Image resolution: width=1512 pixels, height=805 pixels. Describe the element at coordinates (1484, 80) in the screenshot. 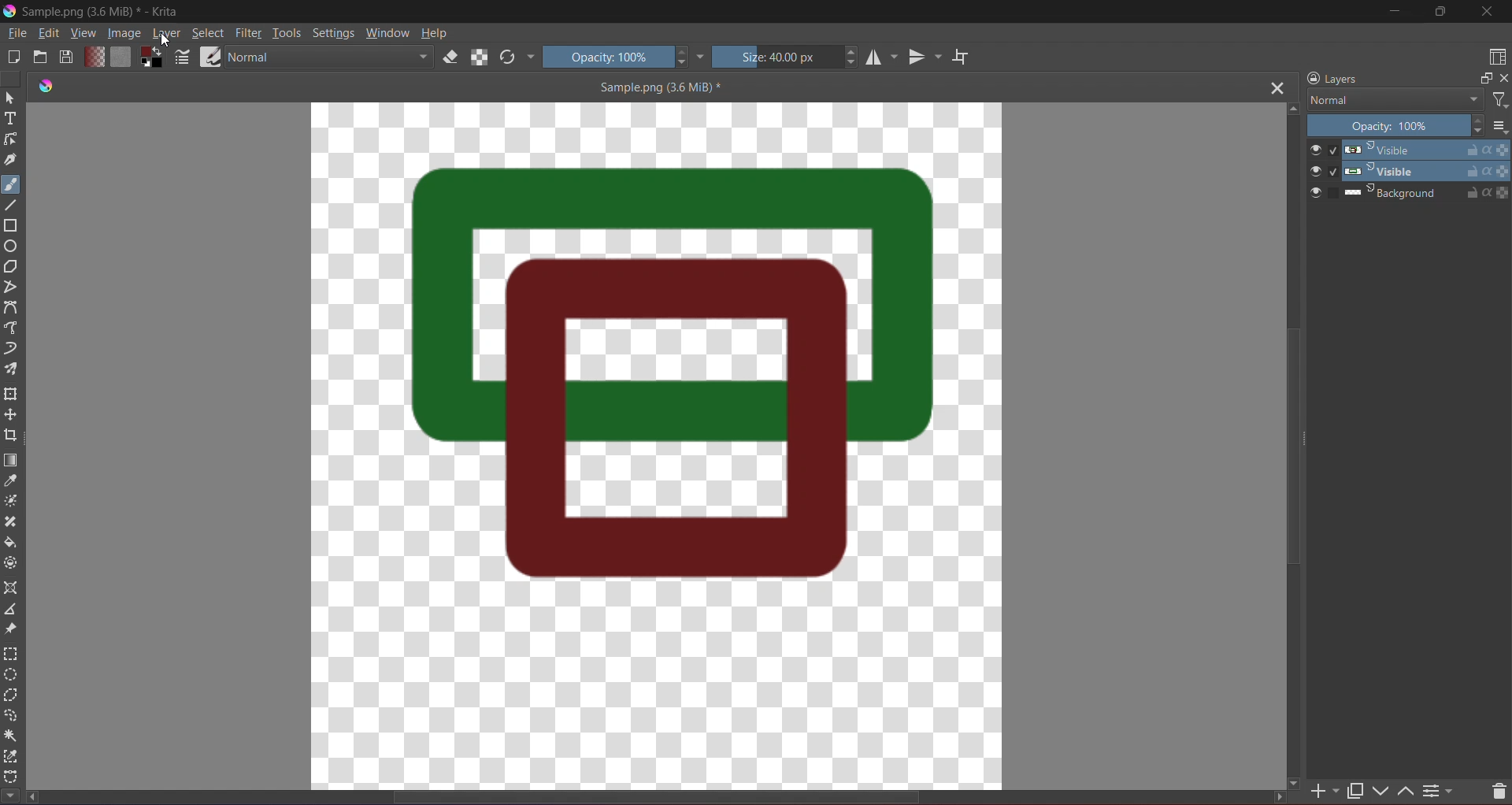

I see `Float Docker` at that location.